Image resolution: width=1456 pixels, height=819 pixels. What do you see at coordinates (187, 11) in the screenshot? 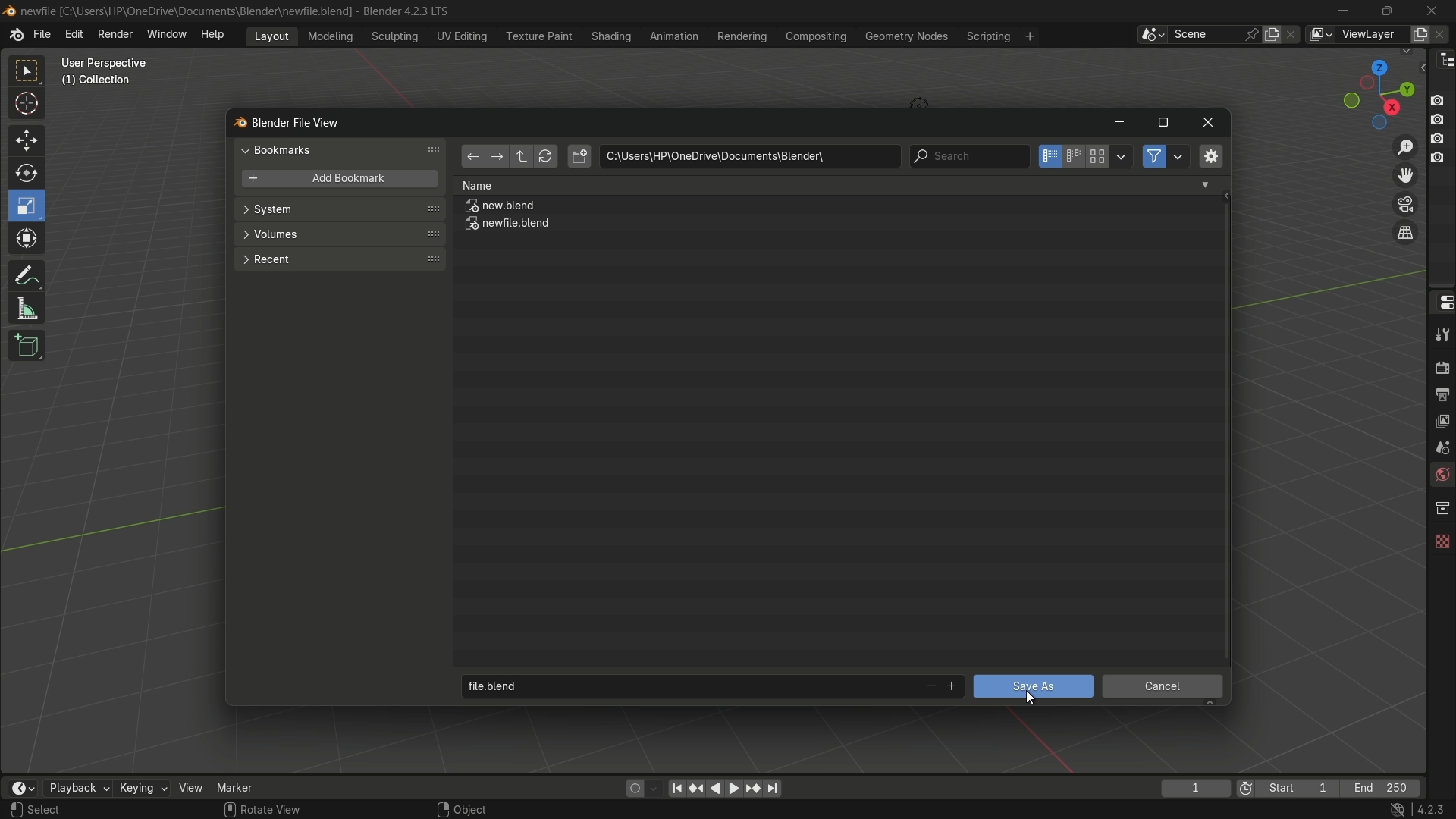
I see `C:\User:\\HP\Onedrive\Documents\Blender` at bounding box center [187, 11].